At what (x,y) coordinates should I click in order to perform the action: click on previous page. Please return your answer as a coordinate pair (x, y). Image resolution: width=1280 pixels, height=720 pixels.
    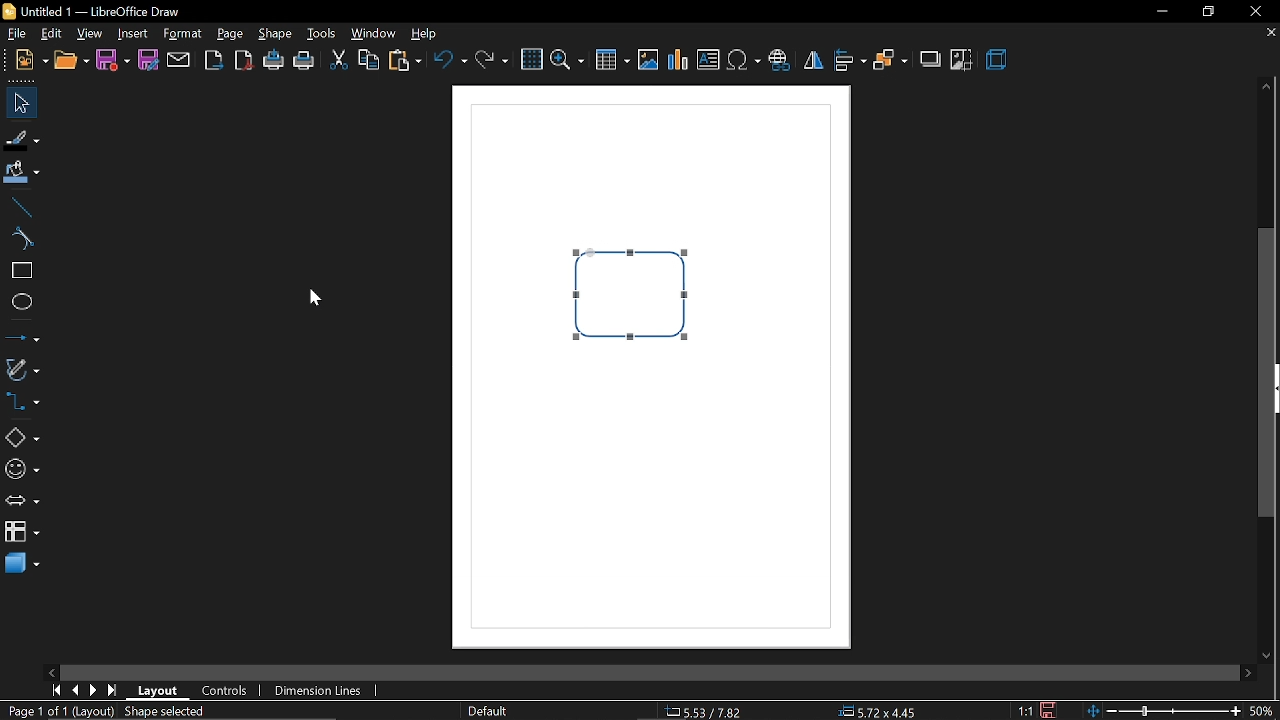
    Looking at the image, I should click on (75, 690).